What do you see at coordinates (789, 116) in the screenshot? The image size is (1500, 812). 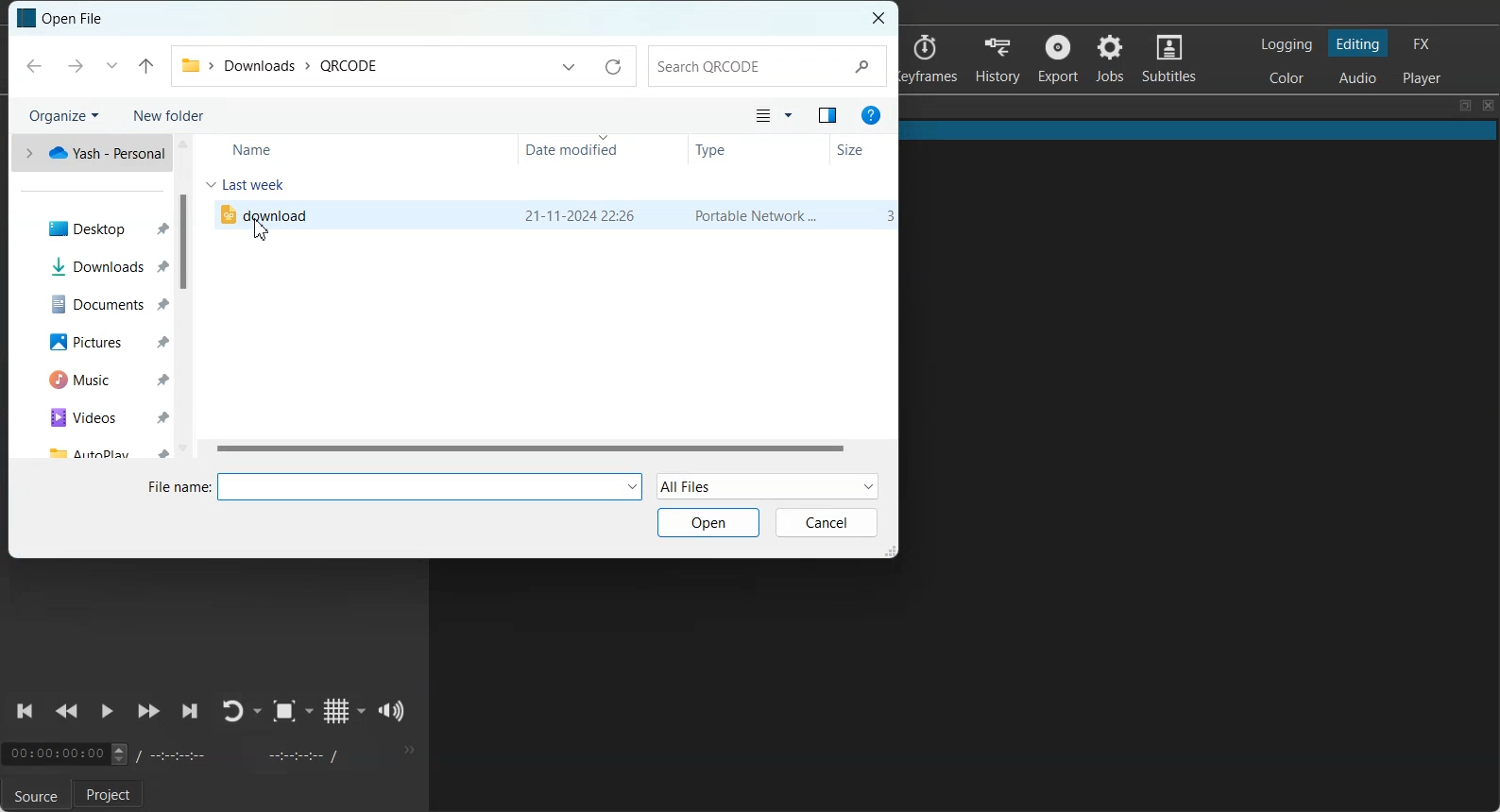 I see `More Option` at bounding box center [789, 116].